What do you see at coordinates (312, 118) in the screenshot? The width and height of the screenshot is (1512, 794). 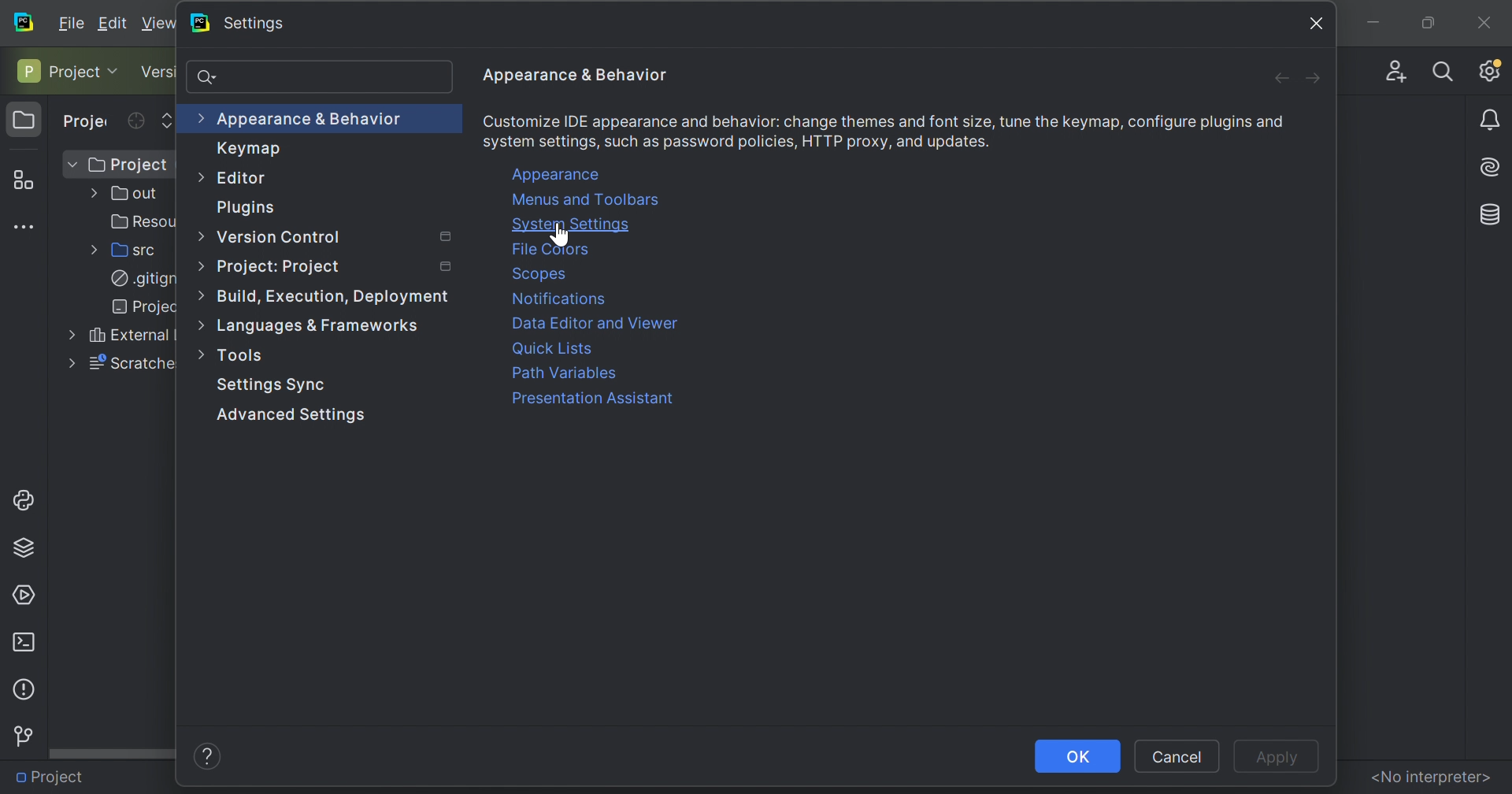 I see `Appearance & Behavior` at bounding box center [312, 118].